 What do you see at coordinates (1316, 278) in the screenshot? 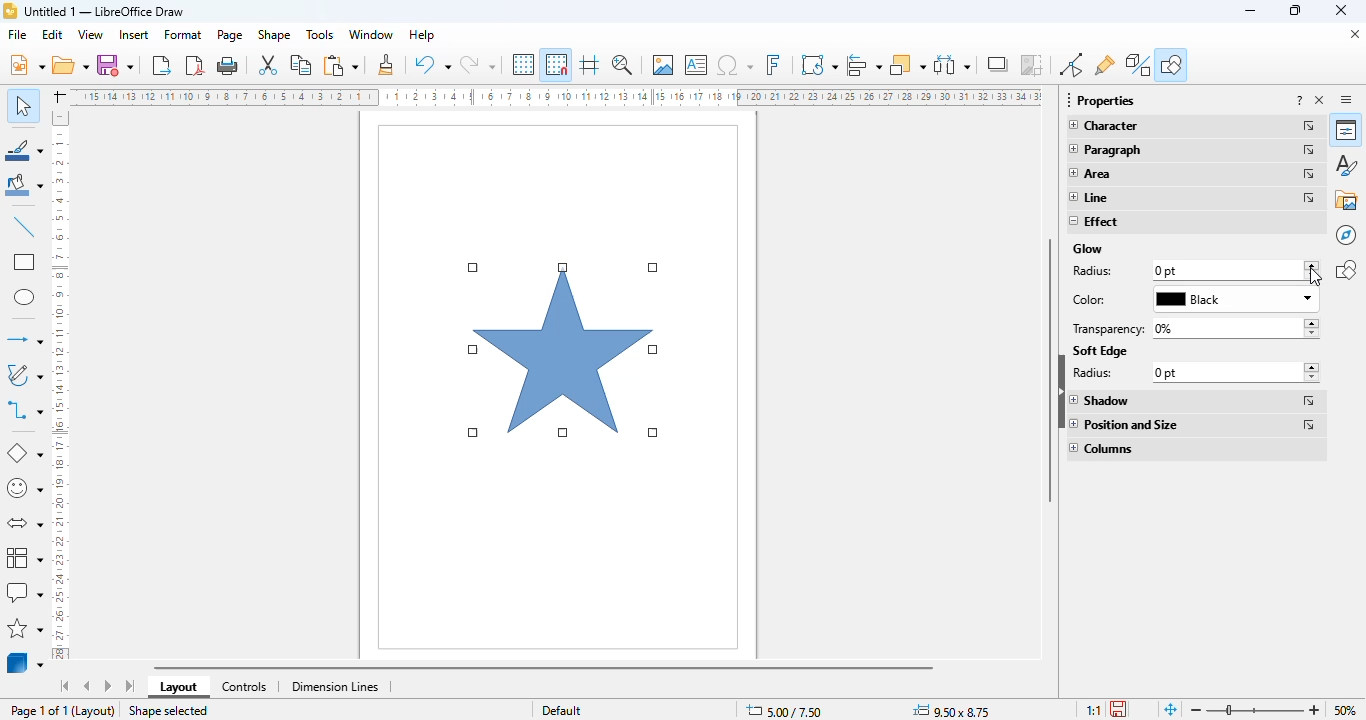
I see `cursor` at bounding box center [1316, 278].